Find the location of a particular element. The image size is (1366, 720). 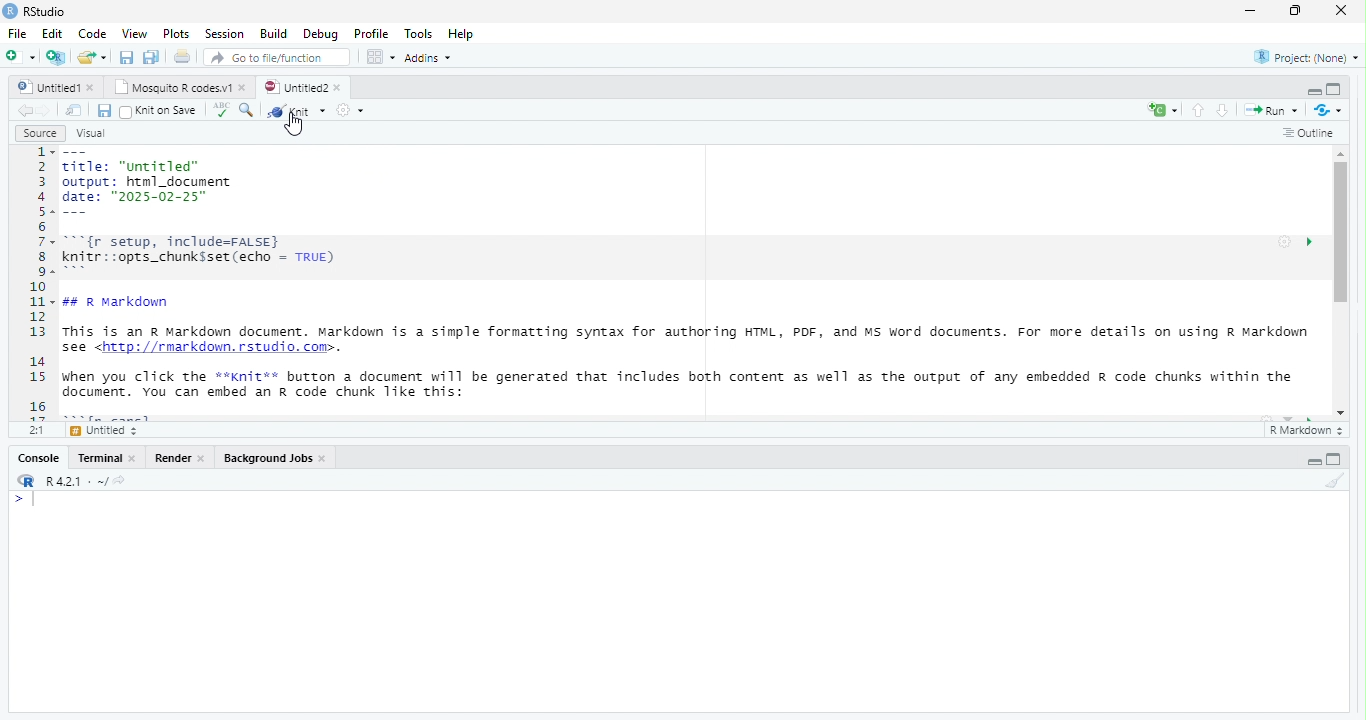

Collapse is located at coordinates (1314, 92).